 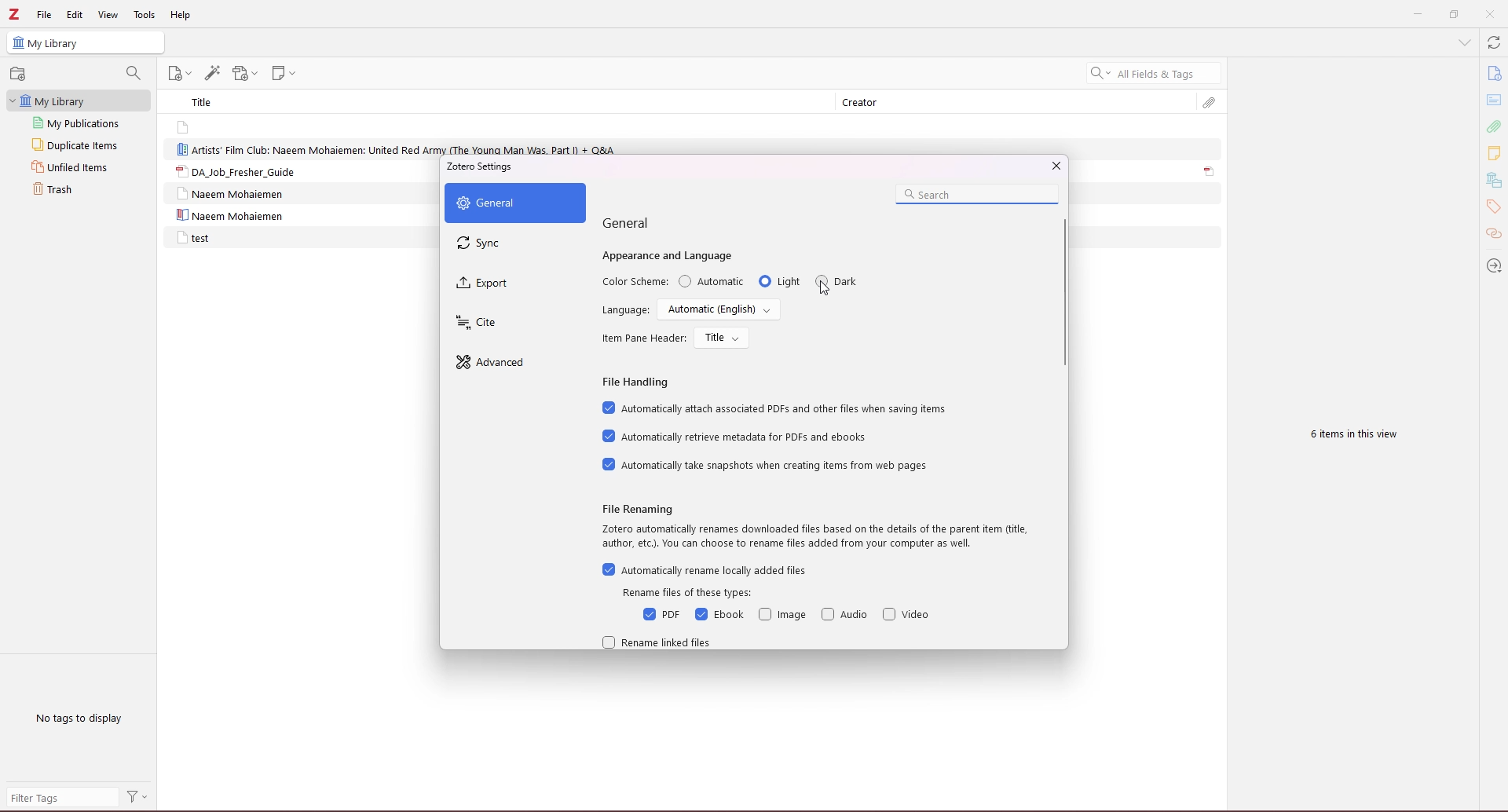 What do you see at coordinates (845, 615) in the screenshot?
I see `audio` at bounding box center [845, 615].